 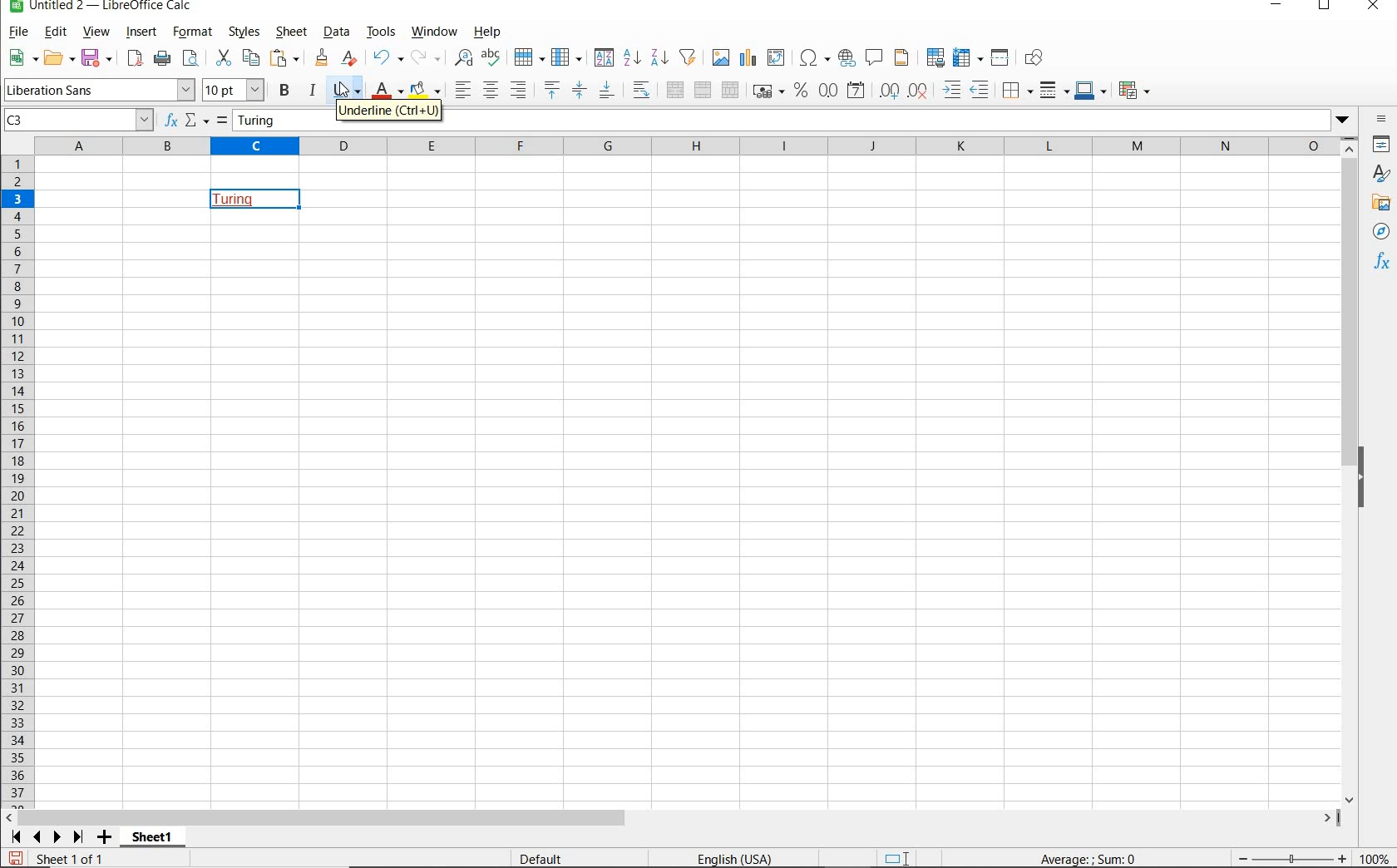 What do you see at coordinates (889, 92) in the screenshot?
I see `ADD DECIMAL PLACE` at bounding box center [889, 92].